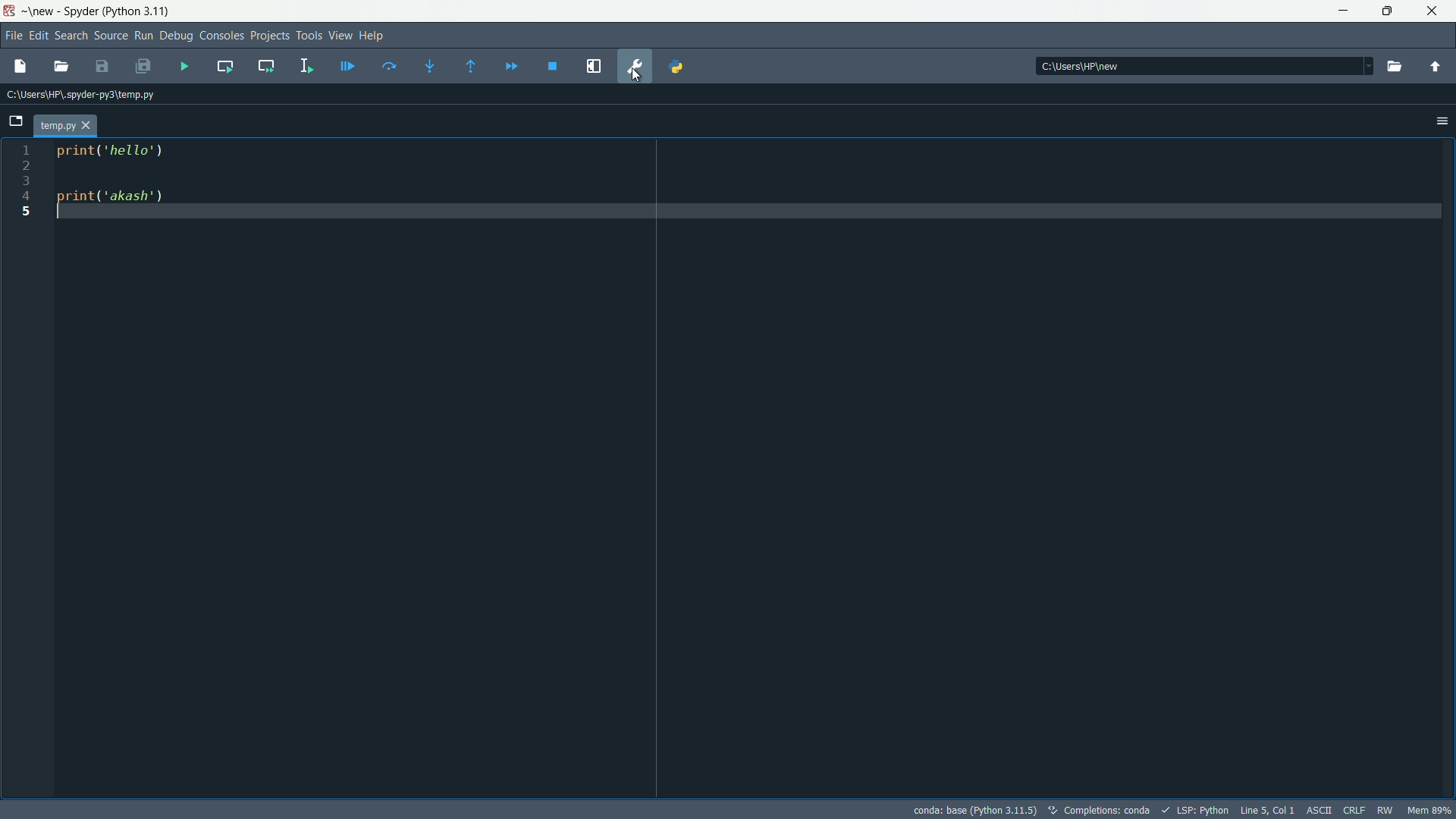 Image resolution: width=1456 pixels, height=819 pixels. I want to click on interpreter, so click(974, 810).